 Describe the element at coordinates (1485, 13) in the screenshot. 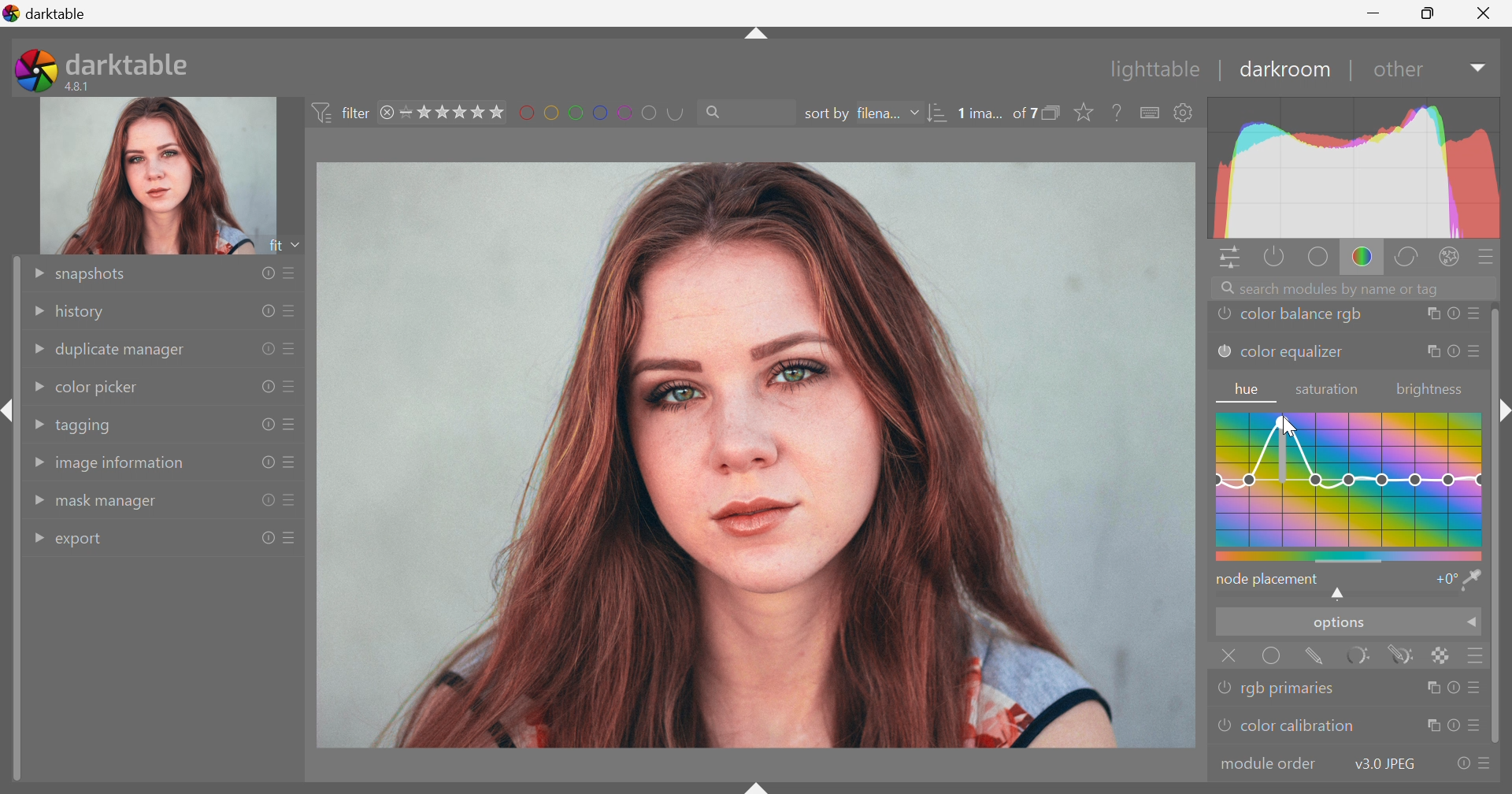

I see `` at that location.